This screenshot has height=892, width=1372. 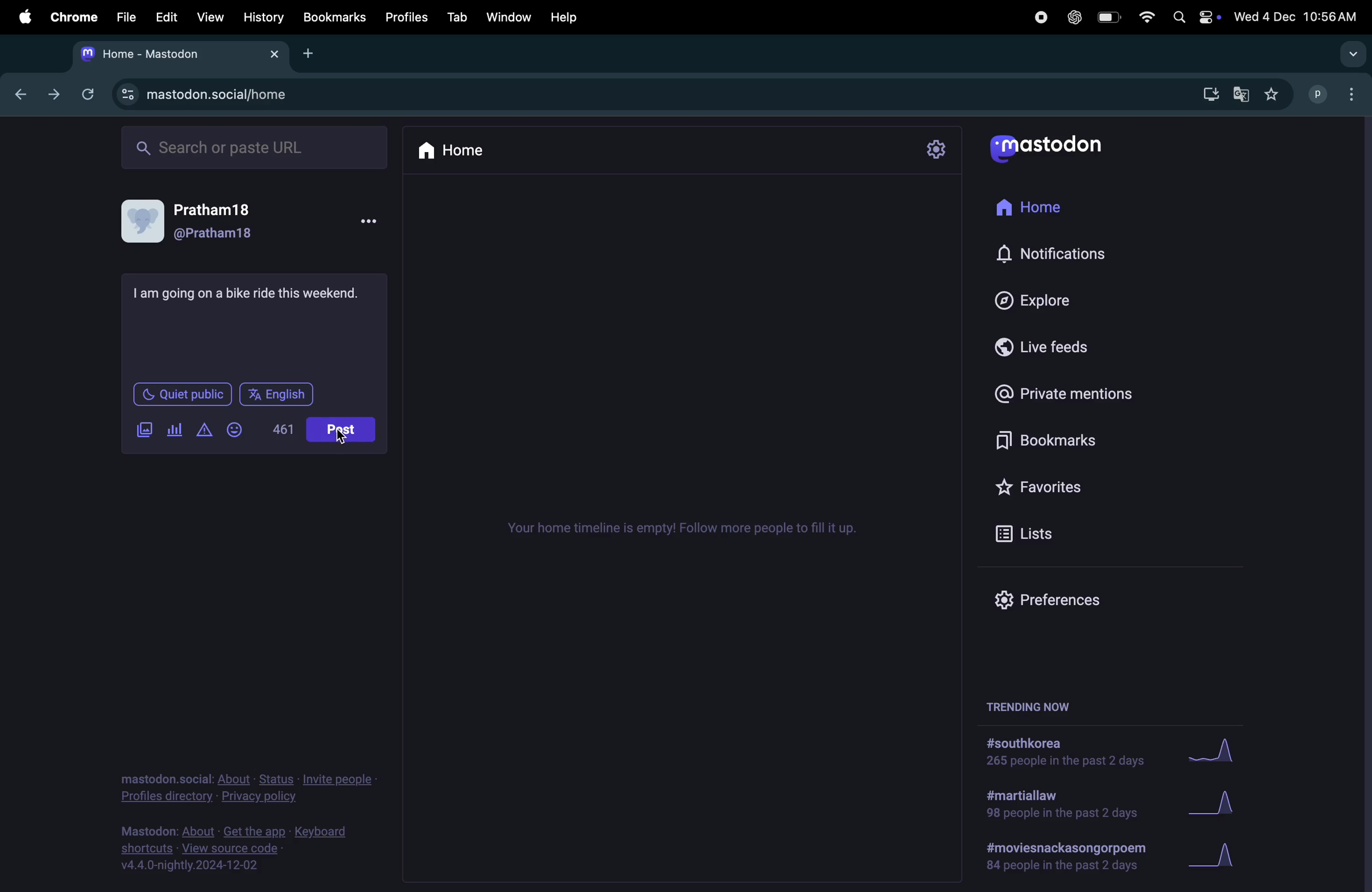 I want to click on alerts, so click(x=203, y=433).